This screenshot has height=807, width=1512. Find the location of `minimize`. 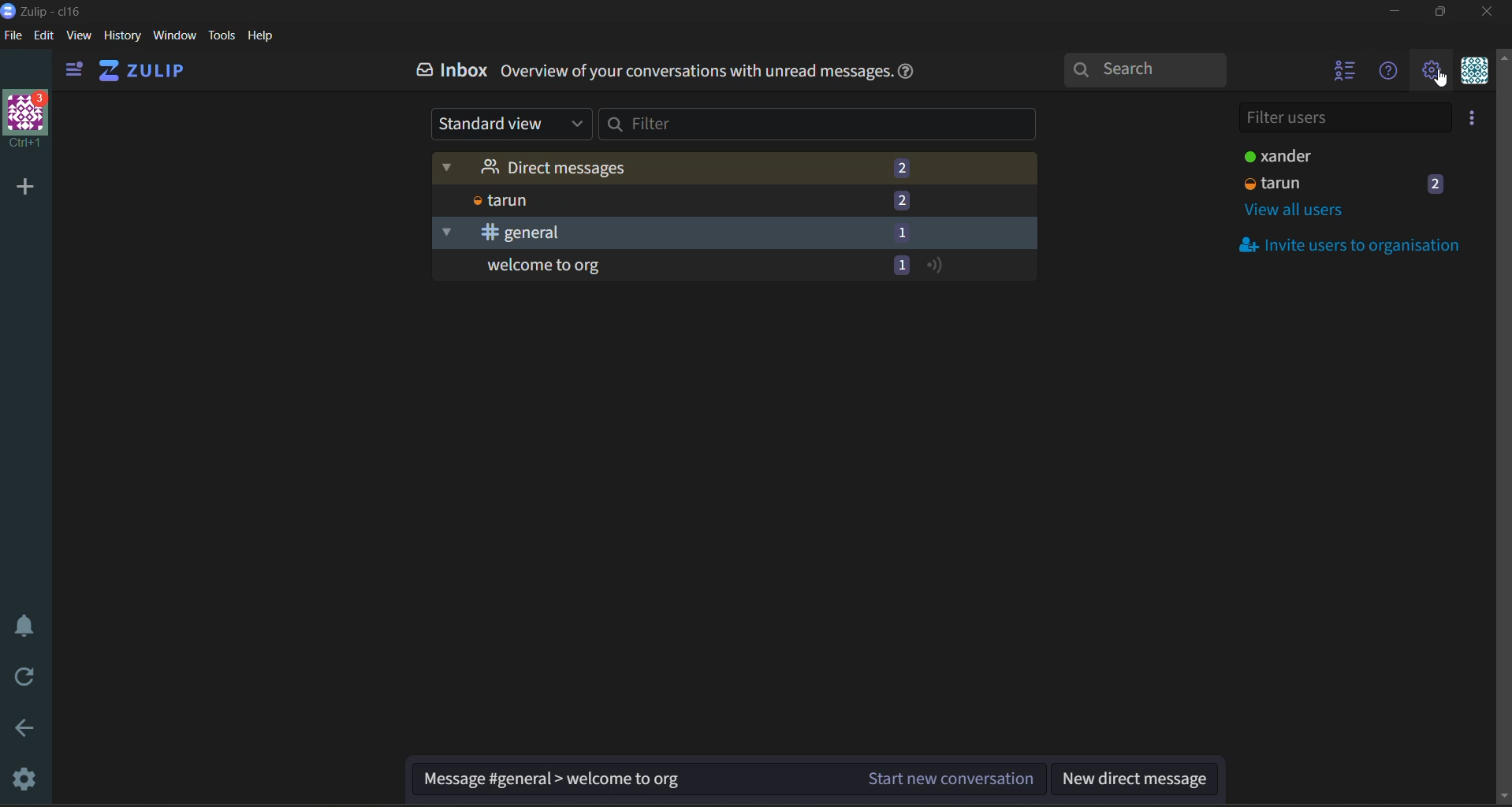

minimize is located at coordinates (1396, 11).